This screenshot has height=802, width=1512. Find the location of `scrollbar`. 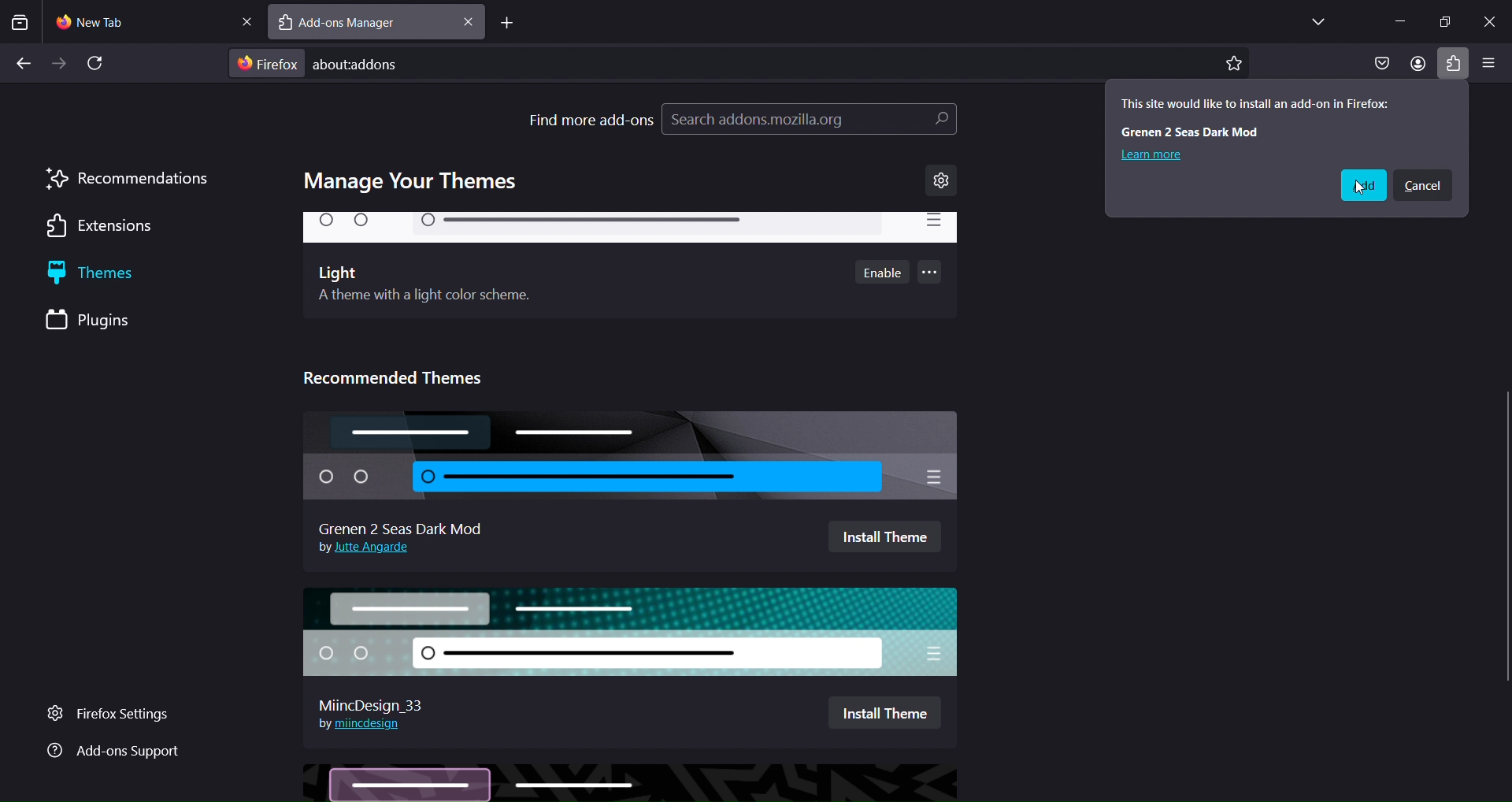

scrollbar is located at coordinates (1503, 269).